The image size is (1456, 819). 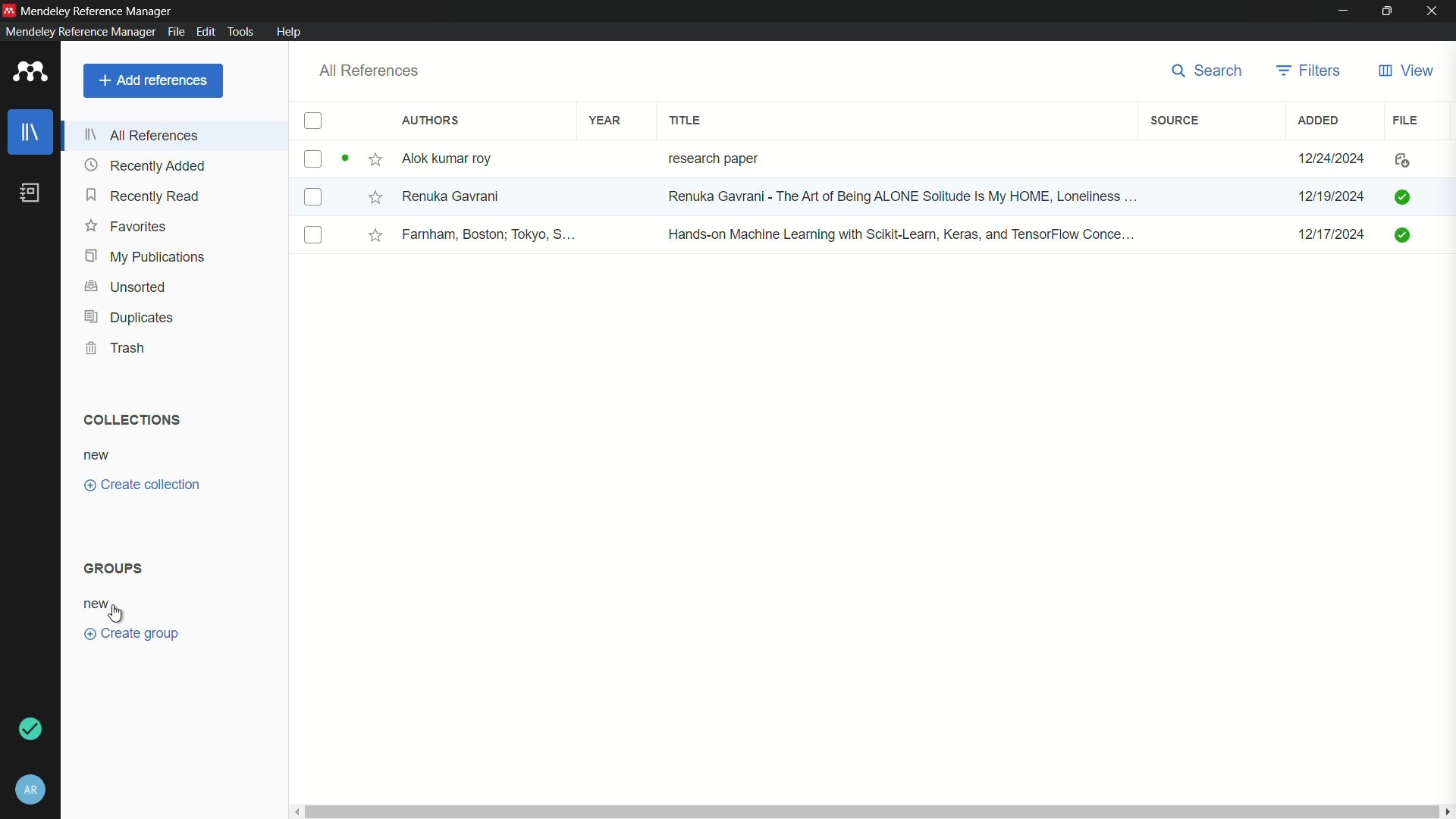 What do you see at coordinates (126, 285) in the screenshot?
I see `unsorted` at bounding box center [126, 285].